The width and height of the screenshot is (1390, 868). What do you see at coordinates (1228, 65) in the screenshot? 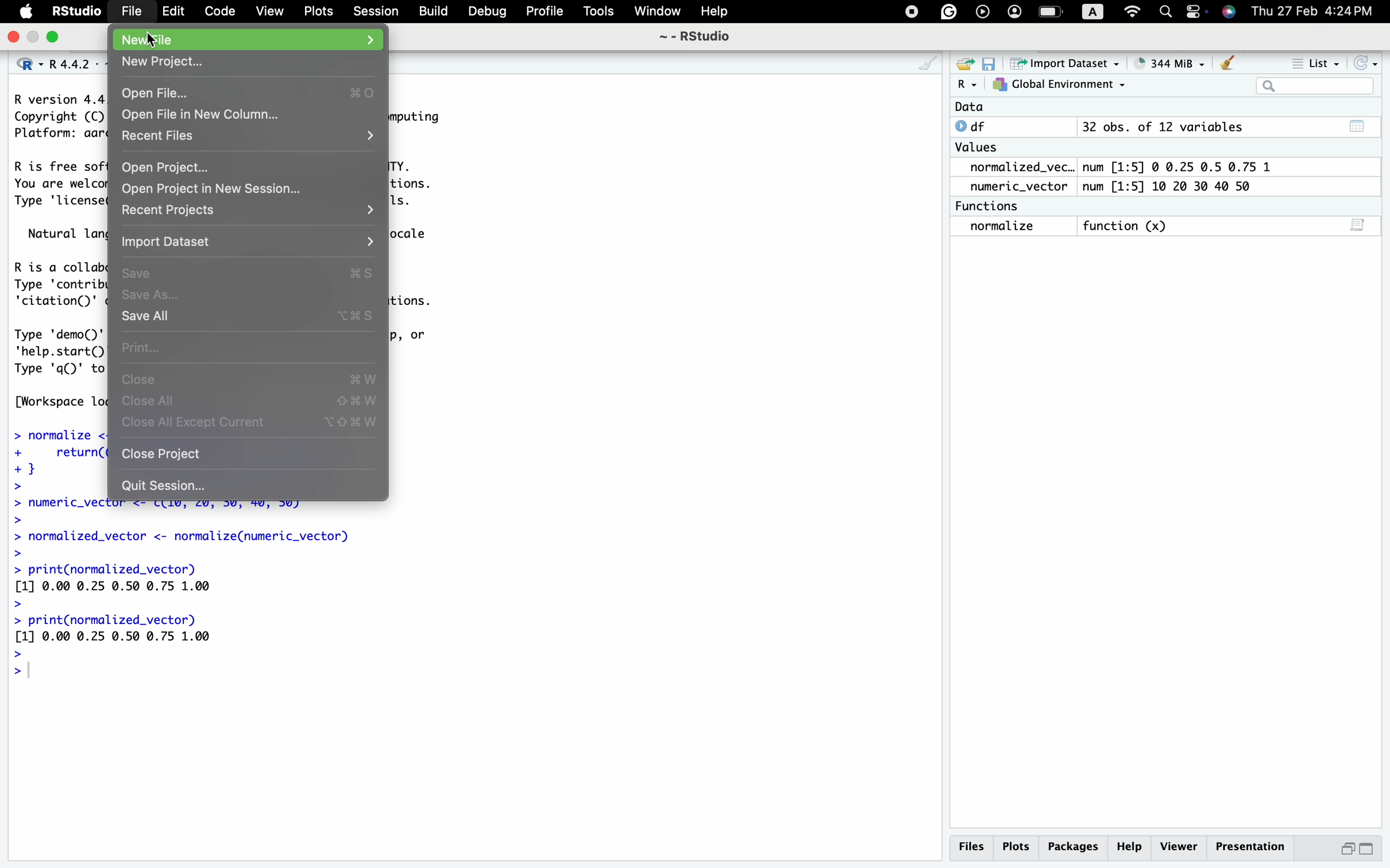
I see `Clear data` at bounding box center [1228, 65].